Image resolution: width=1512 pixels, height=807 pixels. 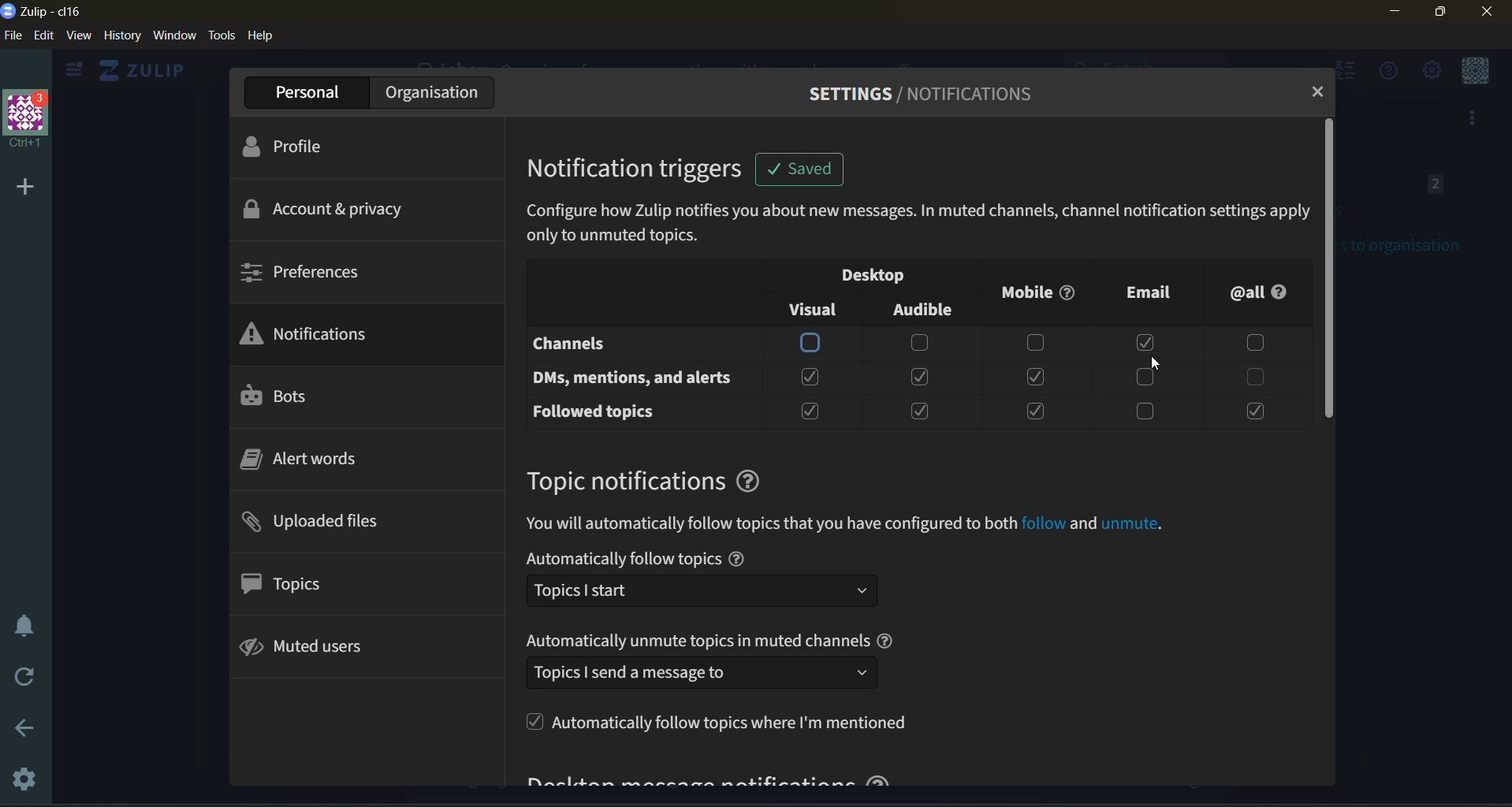 What do you see at coordinates (1260, 291) in the screenshot?
I see `all` at bounding box center [1260, 291].